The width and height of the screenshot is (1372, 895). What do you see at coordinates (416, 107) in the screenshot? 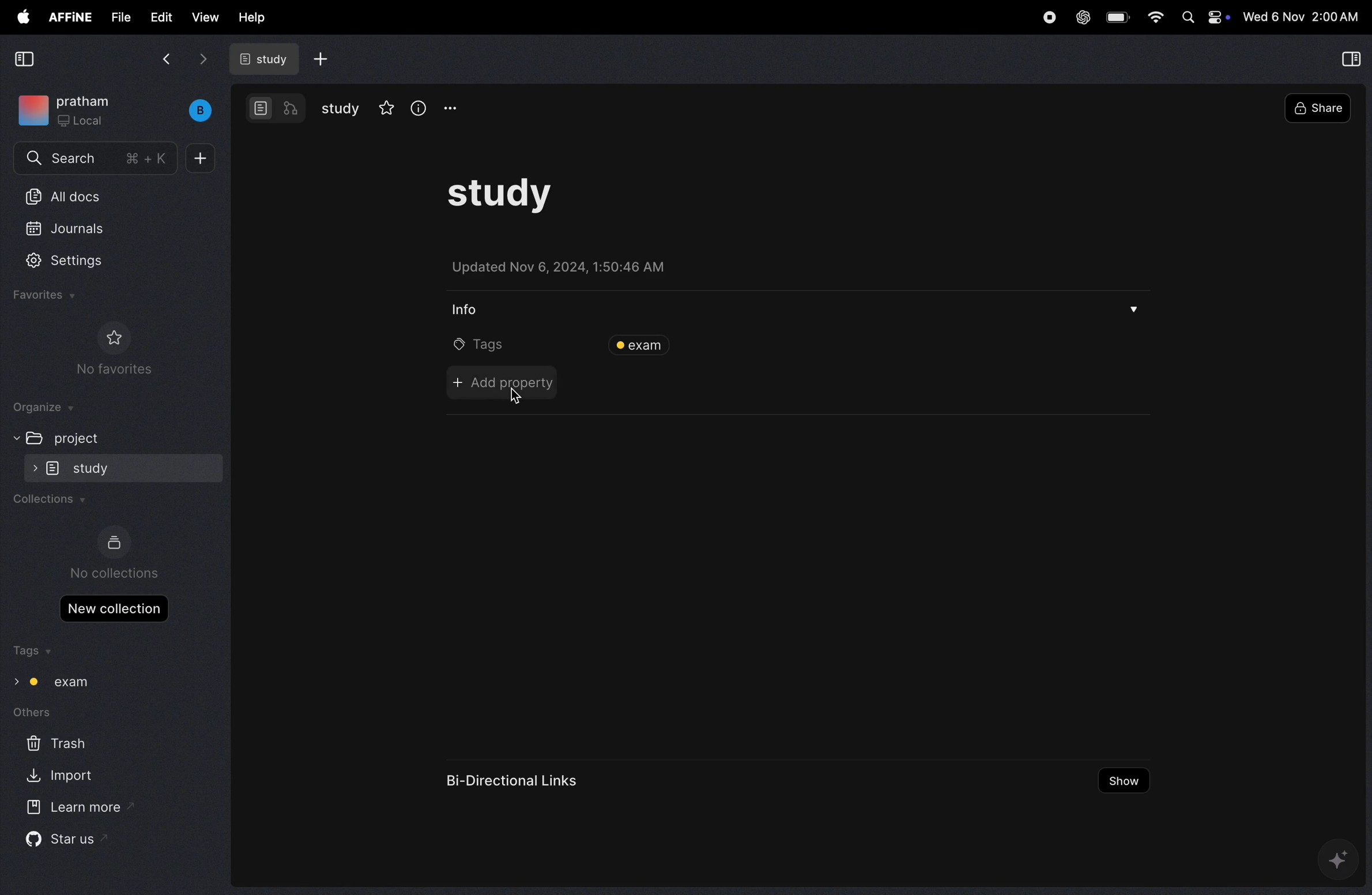
I see `info` at bounding box center [416, 107].